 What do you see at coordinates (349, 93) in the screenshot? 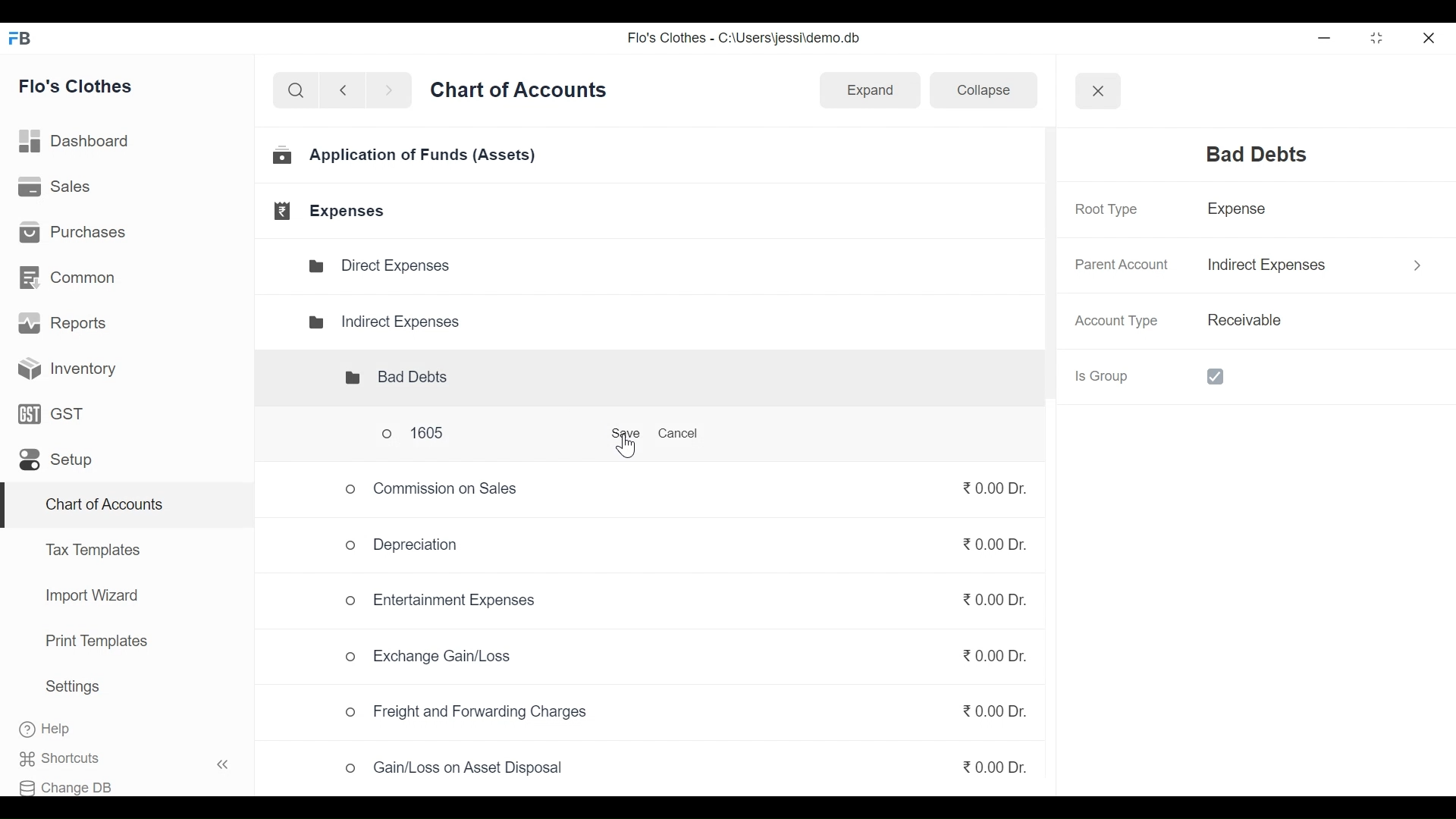
I see `back` at bounding box center [349, 93].